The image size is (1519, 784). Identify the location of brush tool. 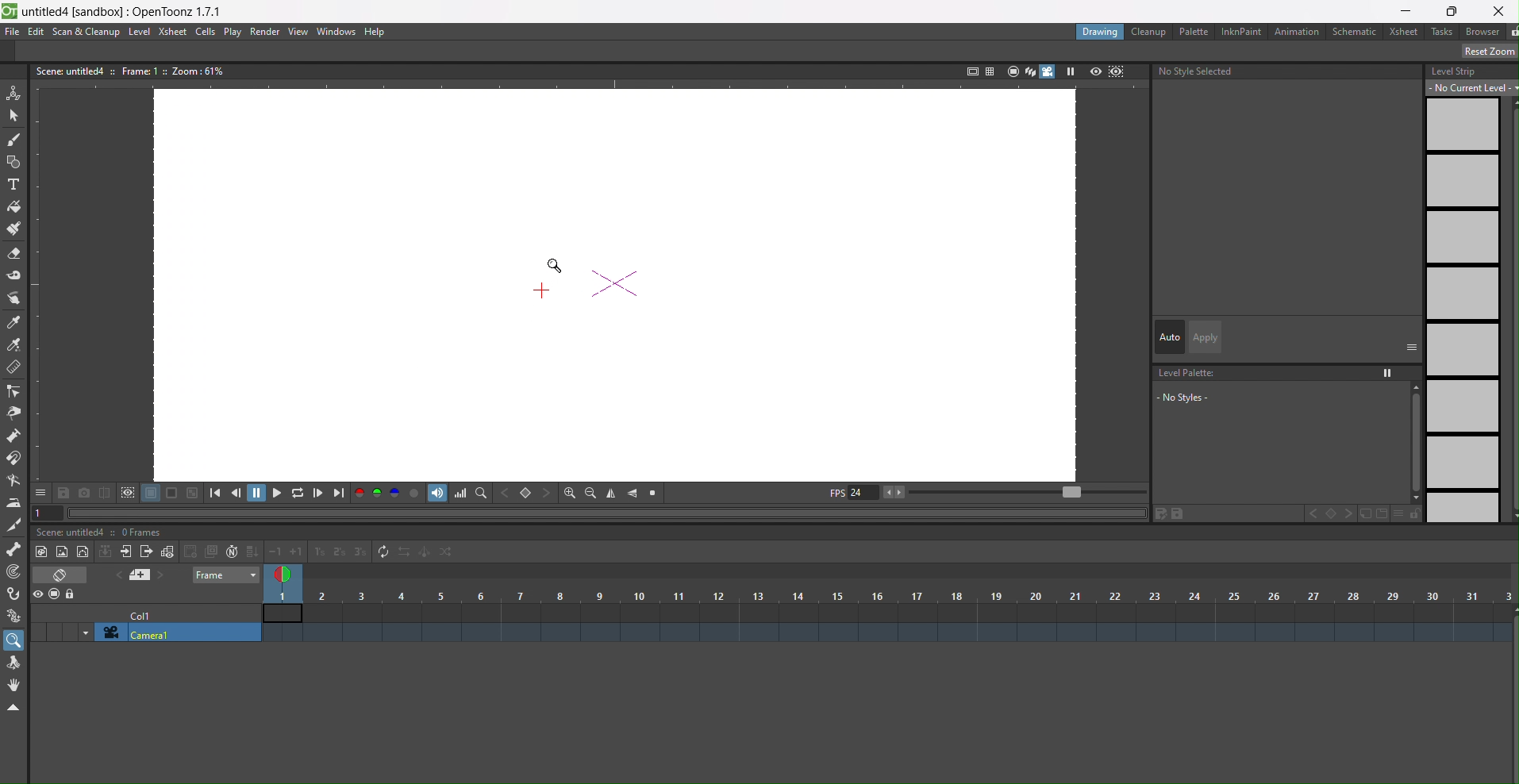
(15, 140).